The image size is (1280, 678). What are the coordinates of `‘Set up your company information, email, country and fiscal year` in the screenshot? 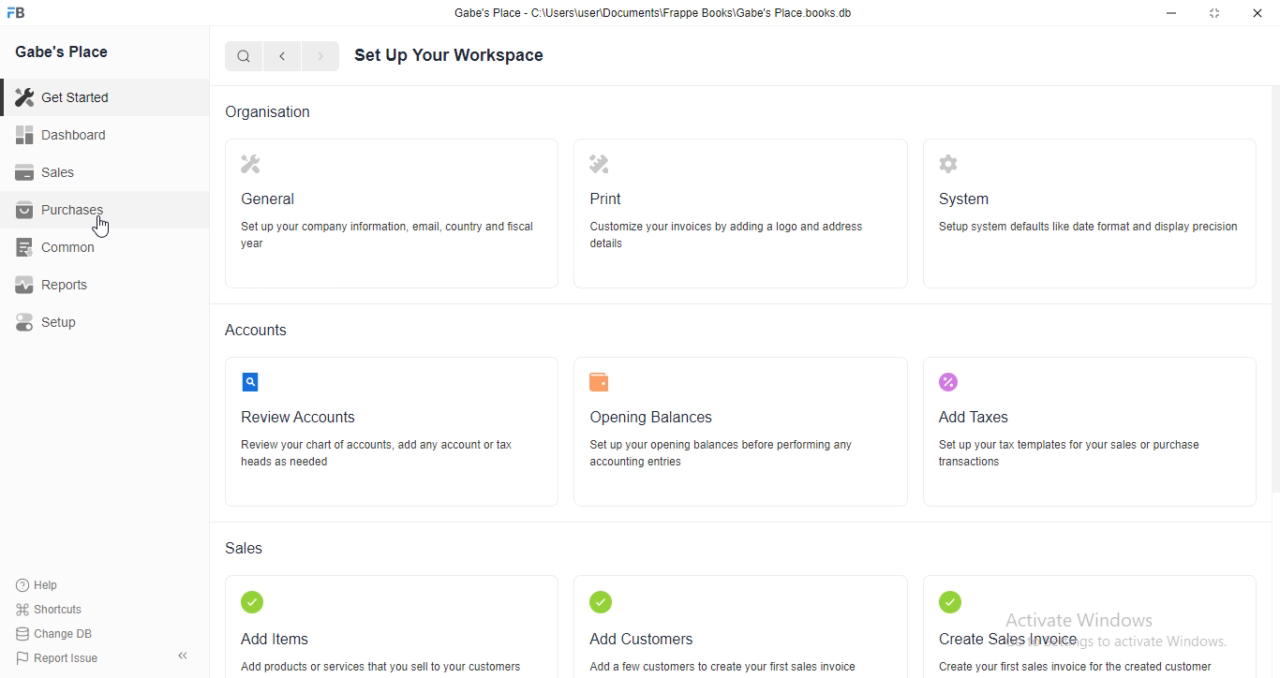 It's located at (385, 238).